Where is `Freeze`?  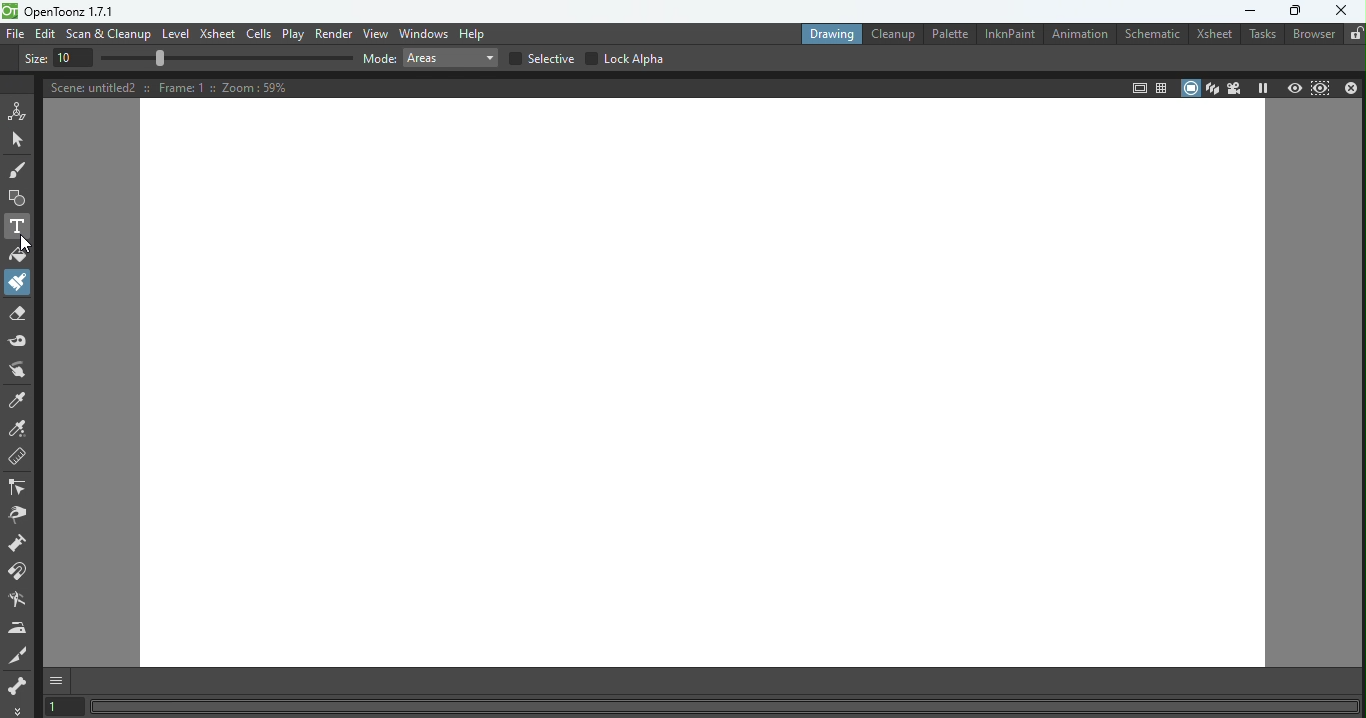
Freeze is located at coordinates (1264, 87).